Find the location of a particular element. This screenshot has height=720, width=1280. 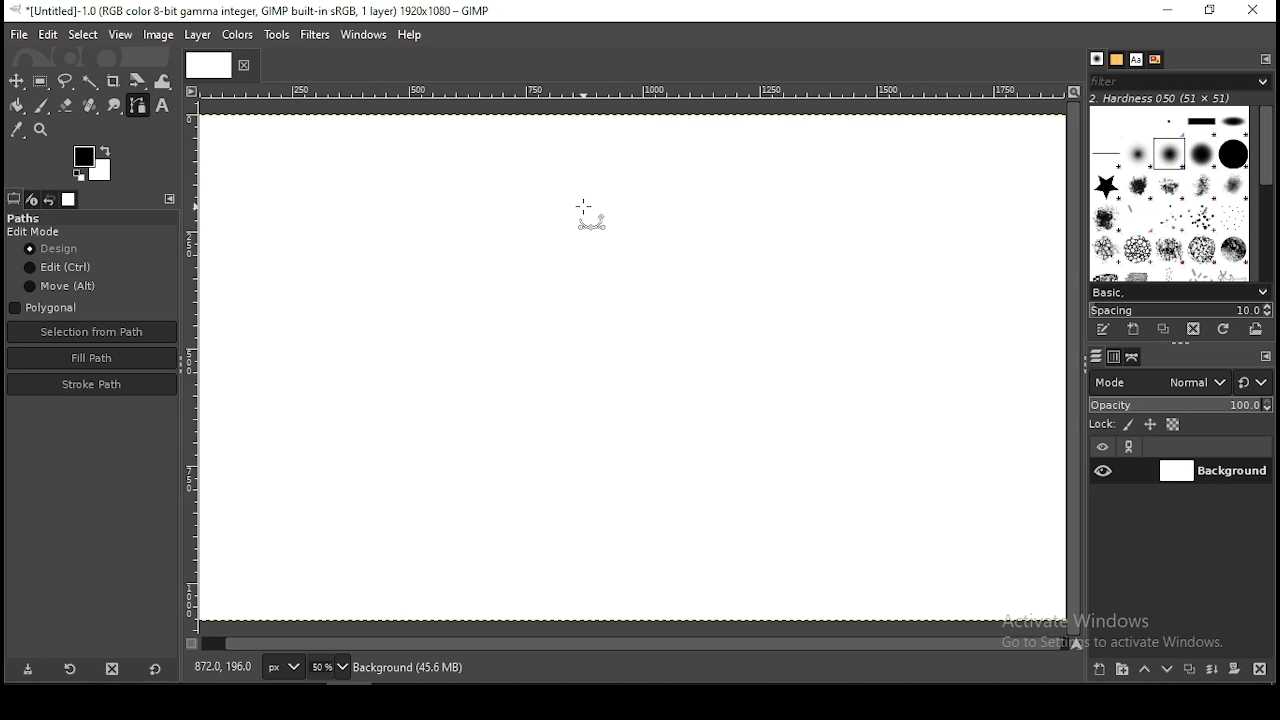

vertical scale is located at coordinates (191, 373).